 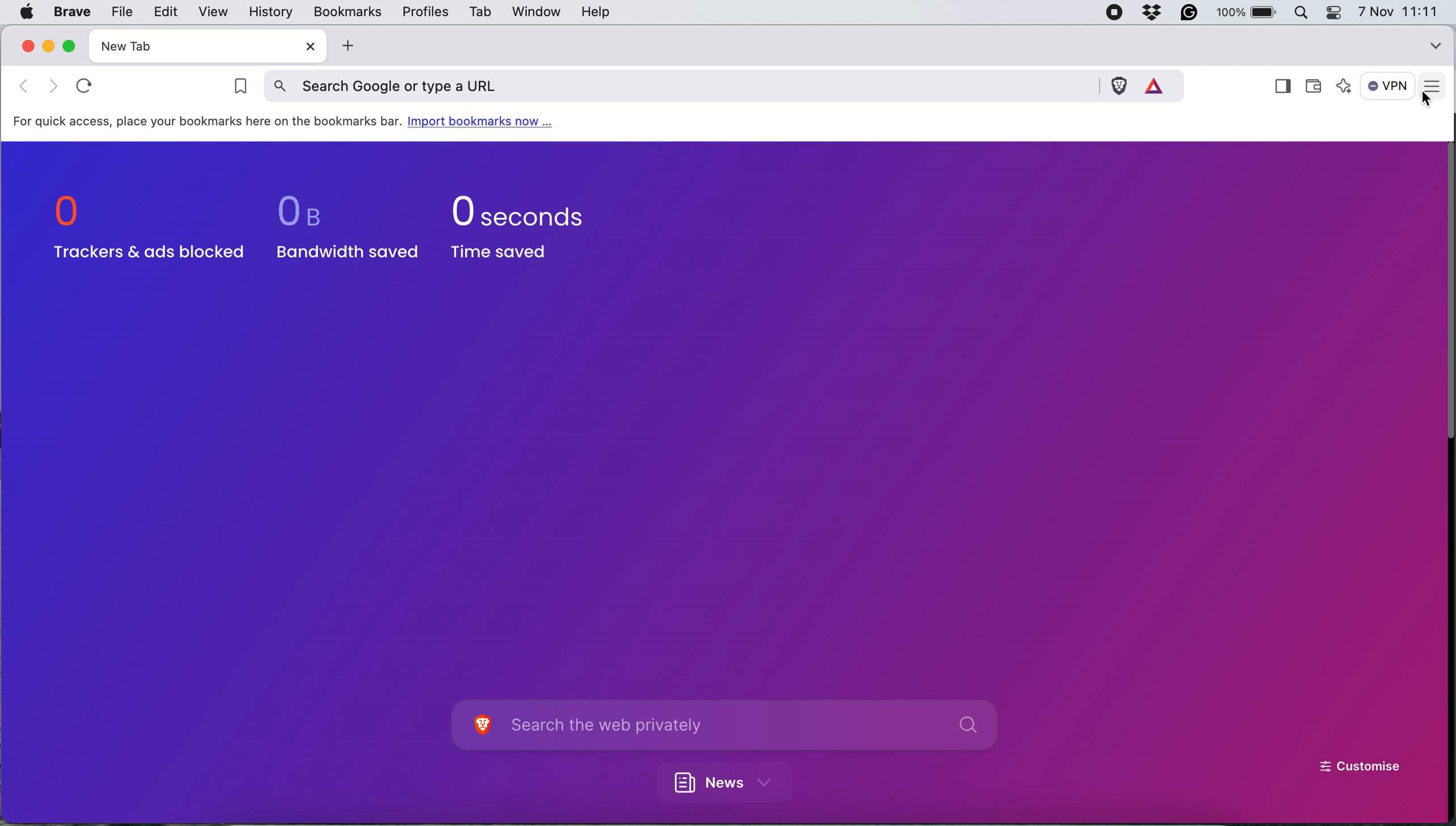 I want to click on cursor, so click(x=1429, y=101).